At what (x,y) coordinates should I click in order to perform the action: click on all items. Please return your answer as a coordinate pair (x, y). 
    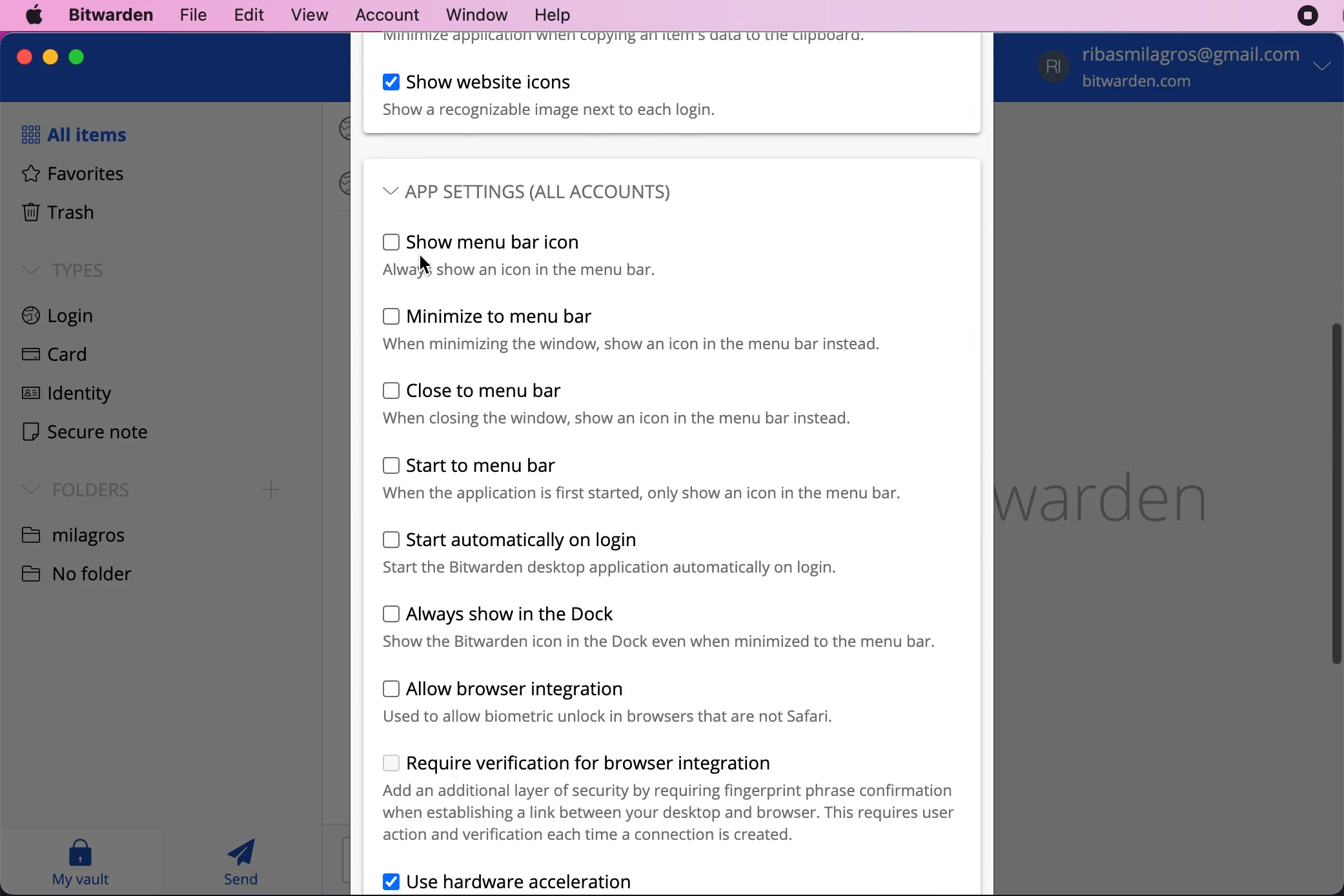
    Looking at the image, I should click on (70, 134).